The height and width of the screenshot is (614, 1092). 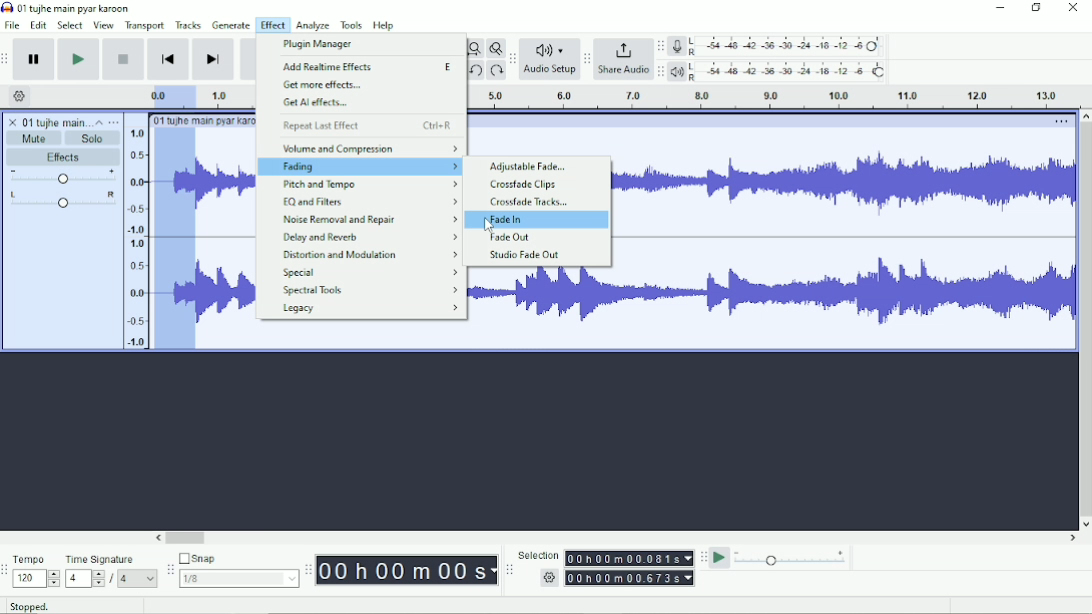 What do you see at coordinates (702, 557) in the screenshot?
I see `Audacity play-at-speed toolbar` at bounding box center [702, 557].